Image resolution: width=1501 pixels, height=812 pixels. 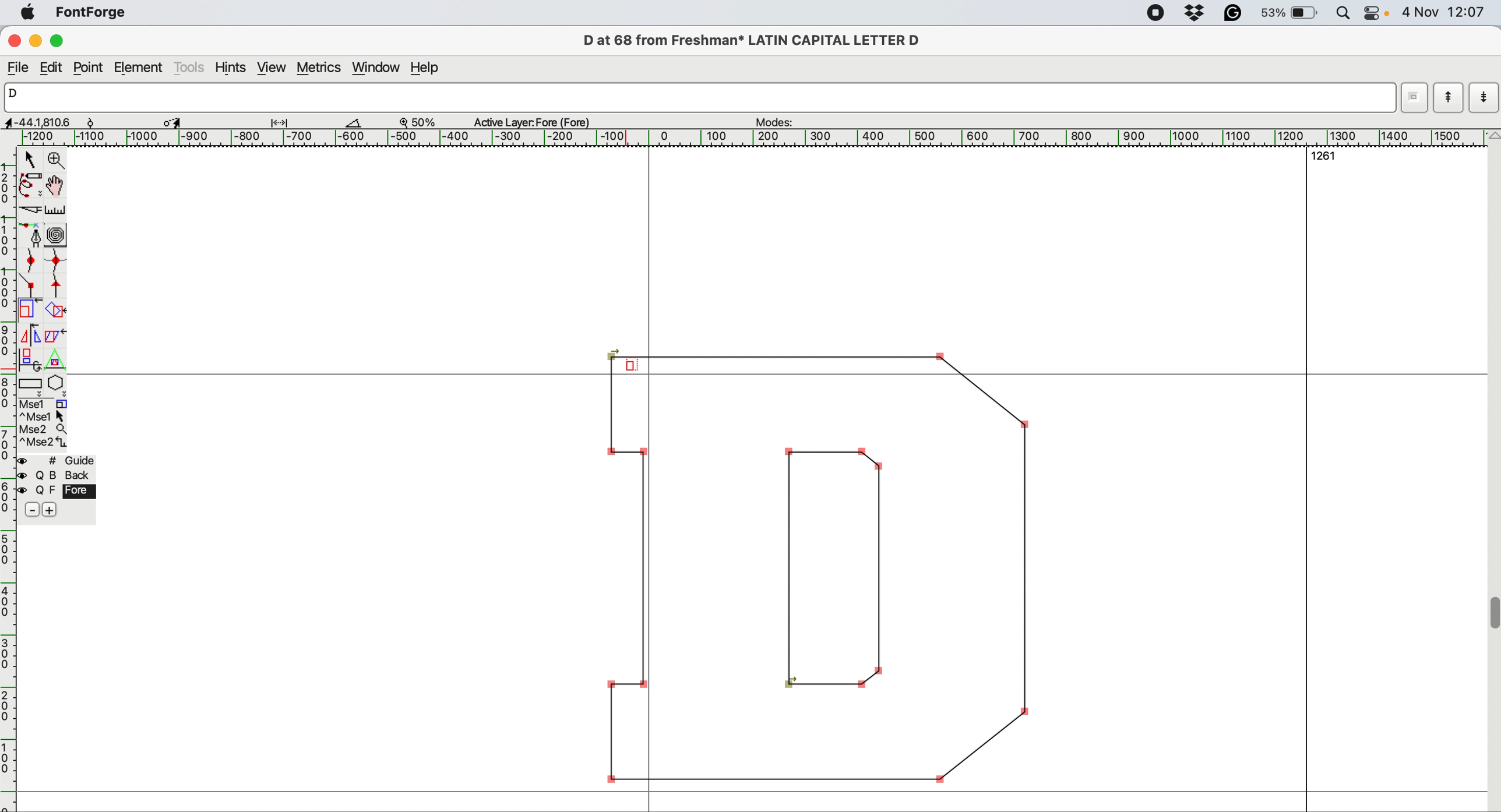 I want to click on drop box, so click(x=1199, y=15).